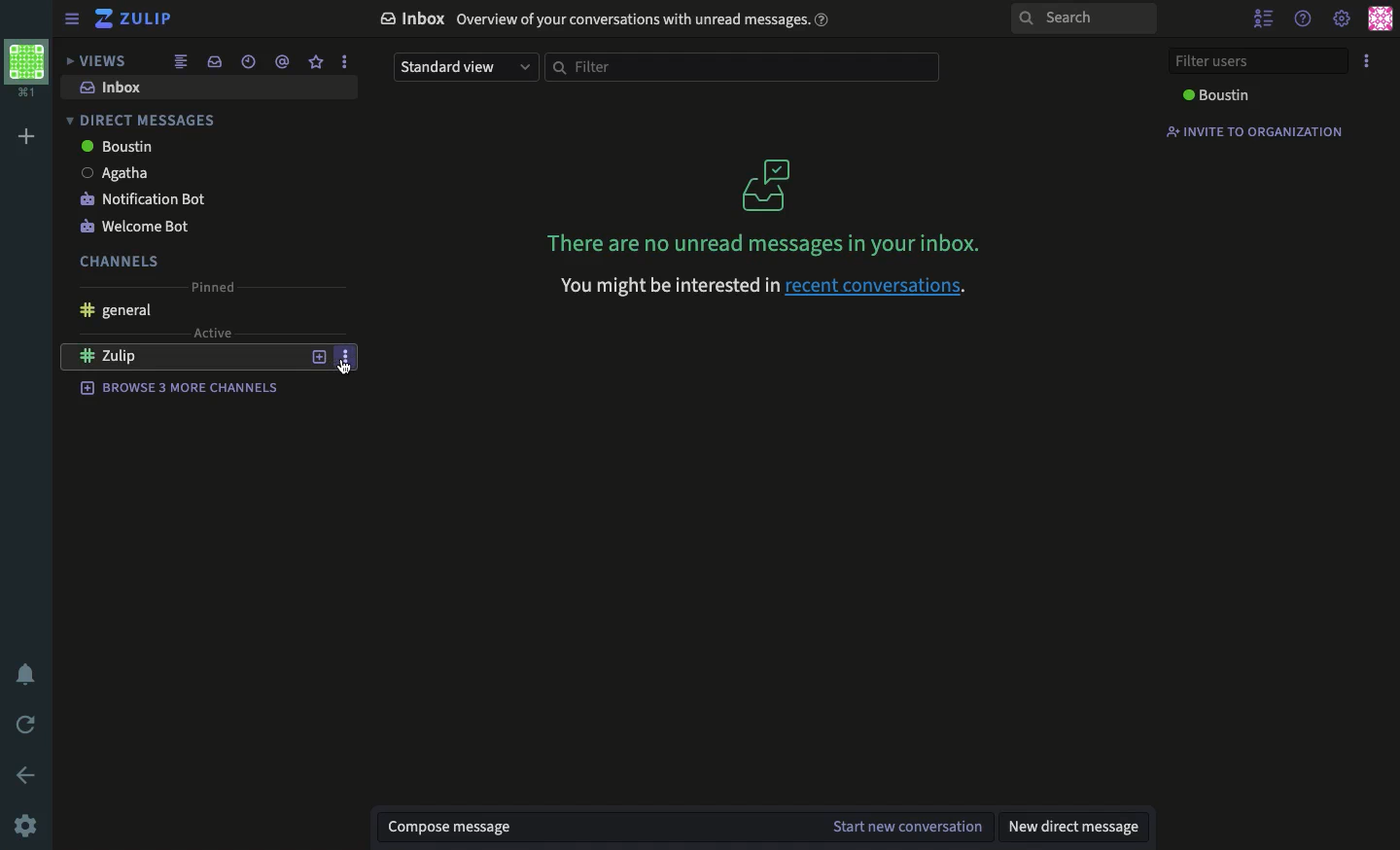  I want to click on Zulip, so click(131, 358).